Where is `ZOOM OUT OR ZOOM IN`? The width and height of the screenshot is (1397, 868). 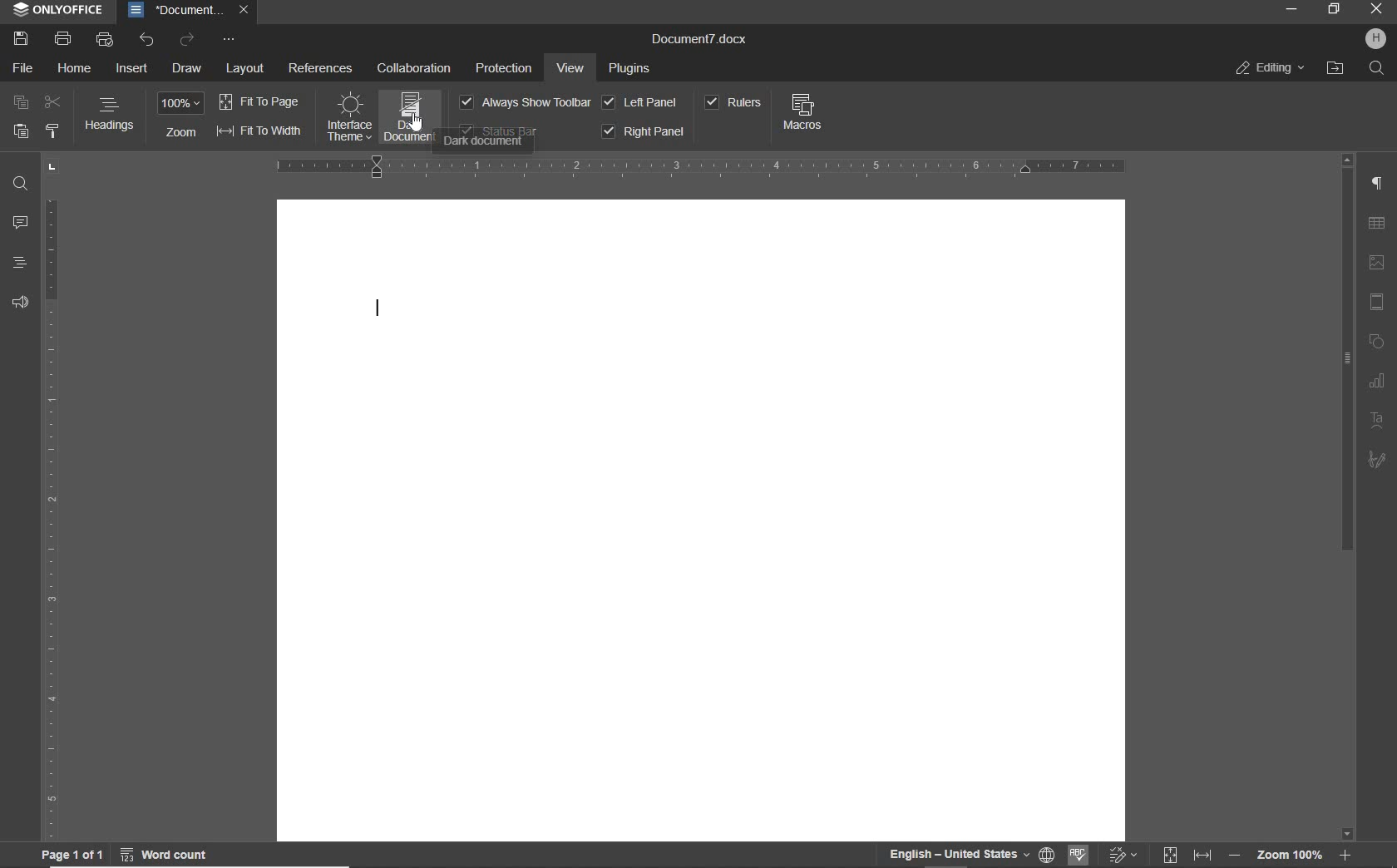
ZOOM OUT OR ZOOM IN is located at coordinates (1294, 856).